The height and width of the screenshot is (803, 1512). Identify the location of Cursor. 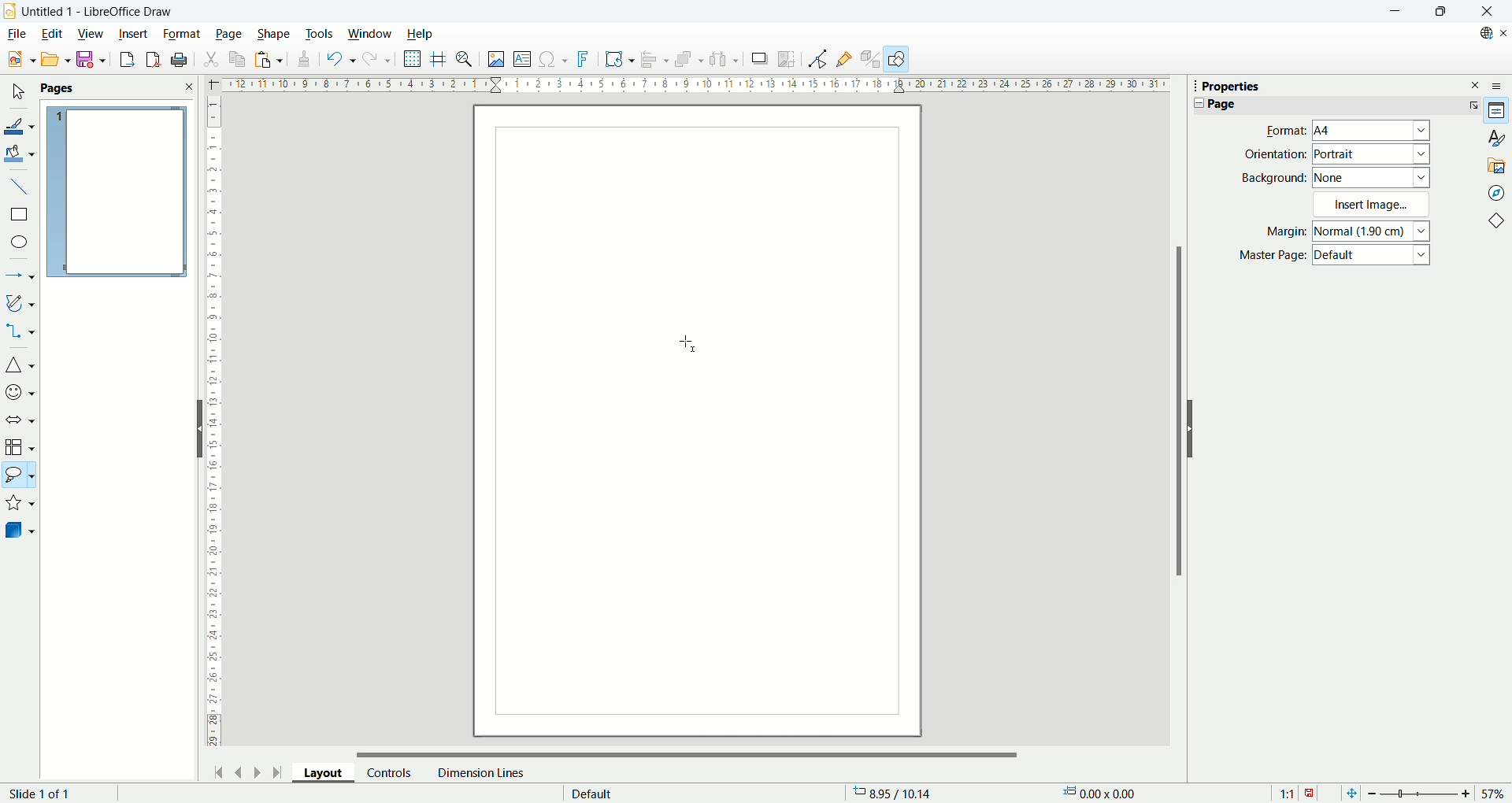
(691, 344).